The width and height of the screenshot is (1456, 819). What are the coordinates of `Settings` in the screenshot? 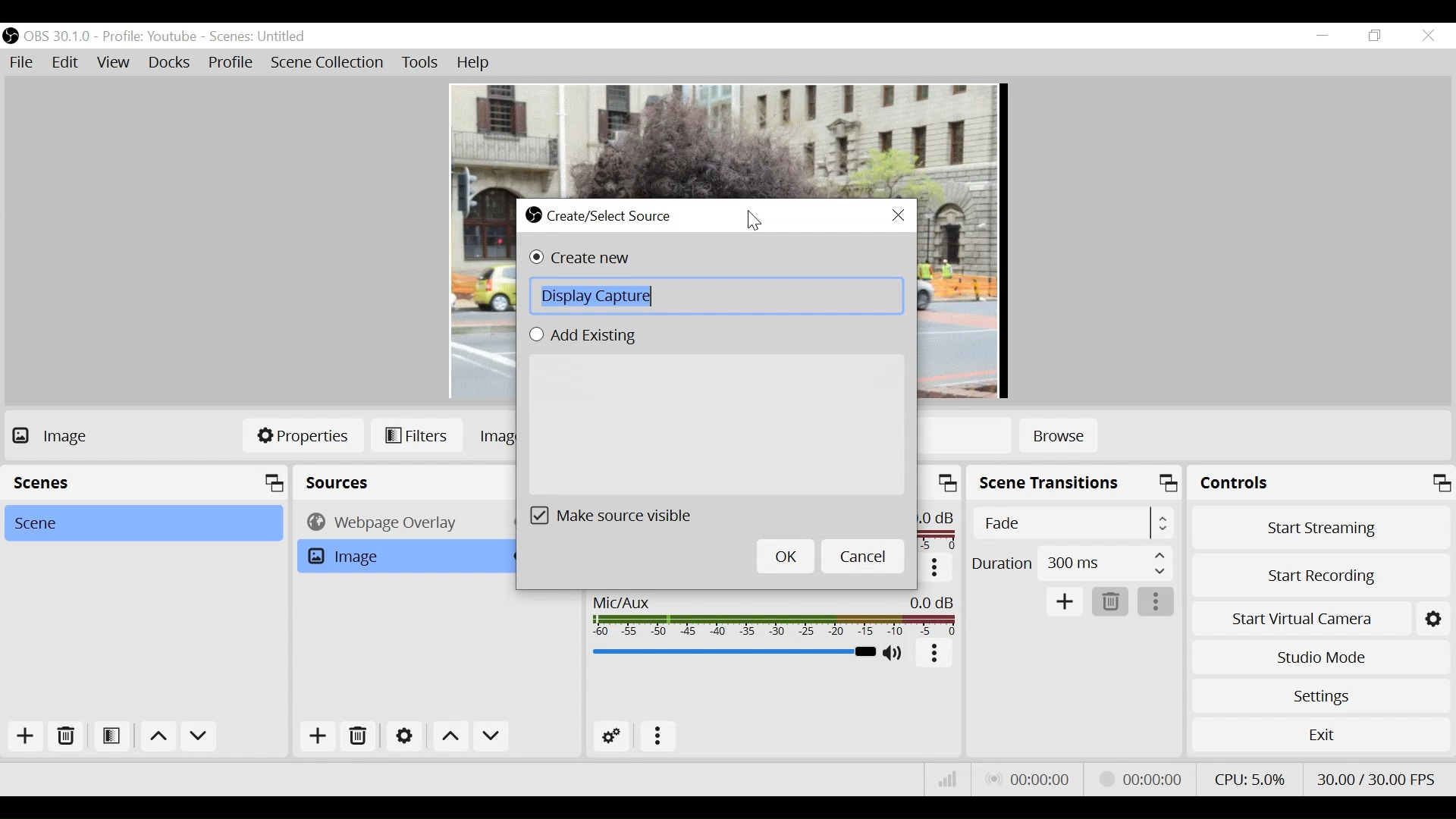 It's located at (1321, 696).